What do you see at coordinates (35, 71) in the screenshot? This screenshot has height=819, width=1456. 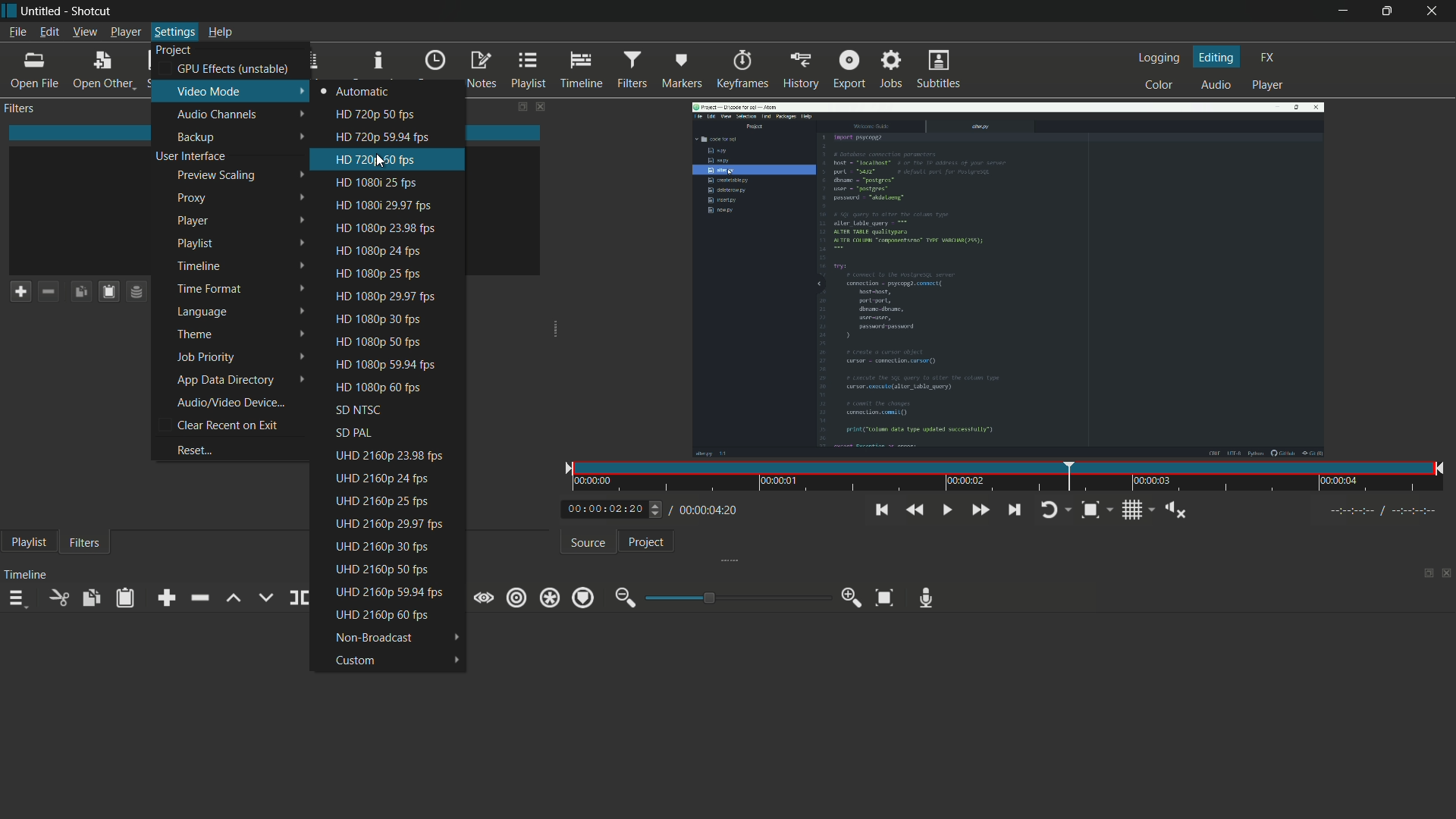 I see `open file` at bounding box center [35, 71].